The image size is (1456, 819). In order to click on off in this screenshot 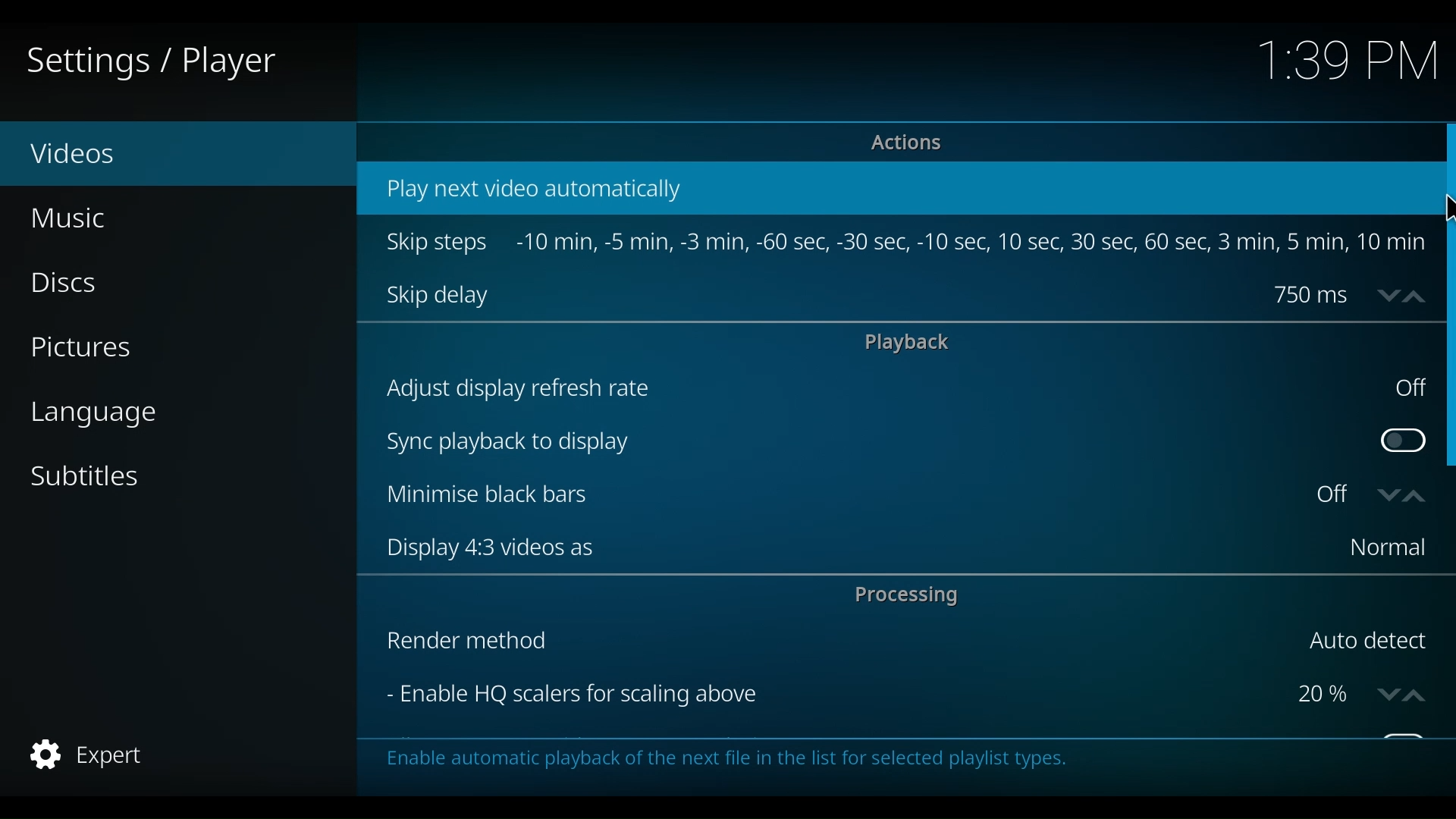, I will do `click(1411, 392)`.